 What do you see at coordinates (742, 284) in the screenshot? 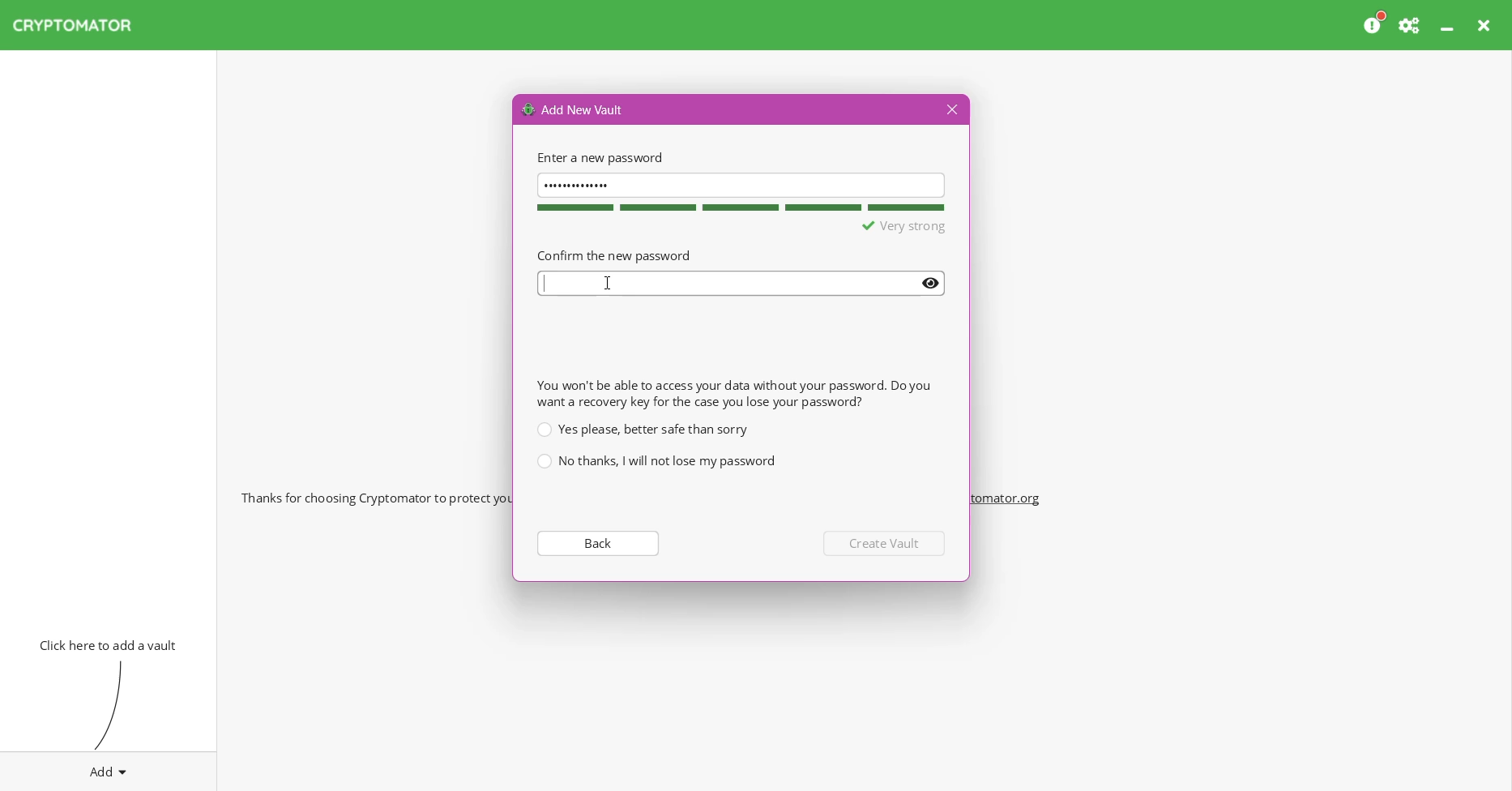
I see `Confirm the new password` at bounding box center [742, 284].